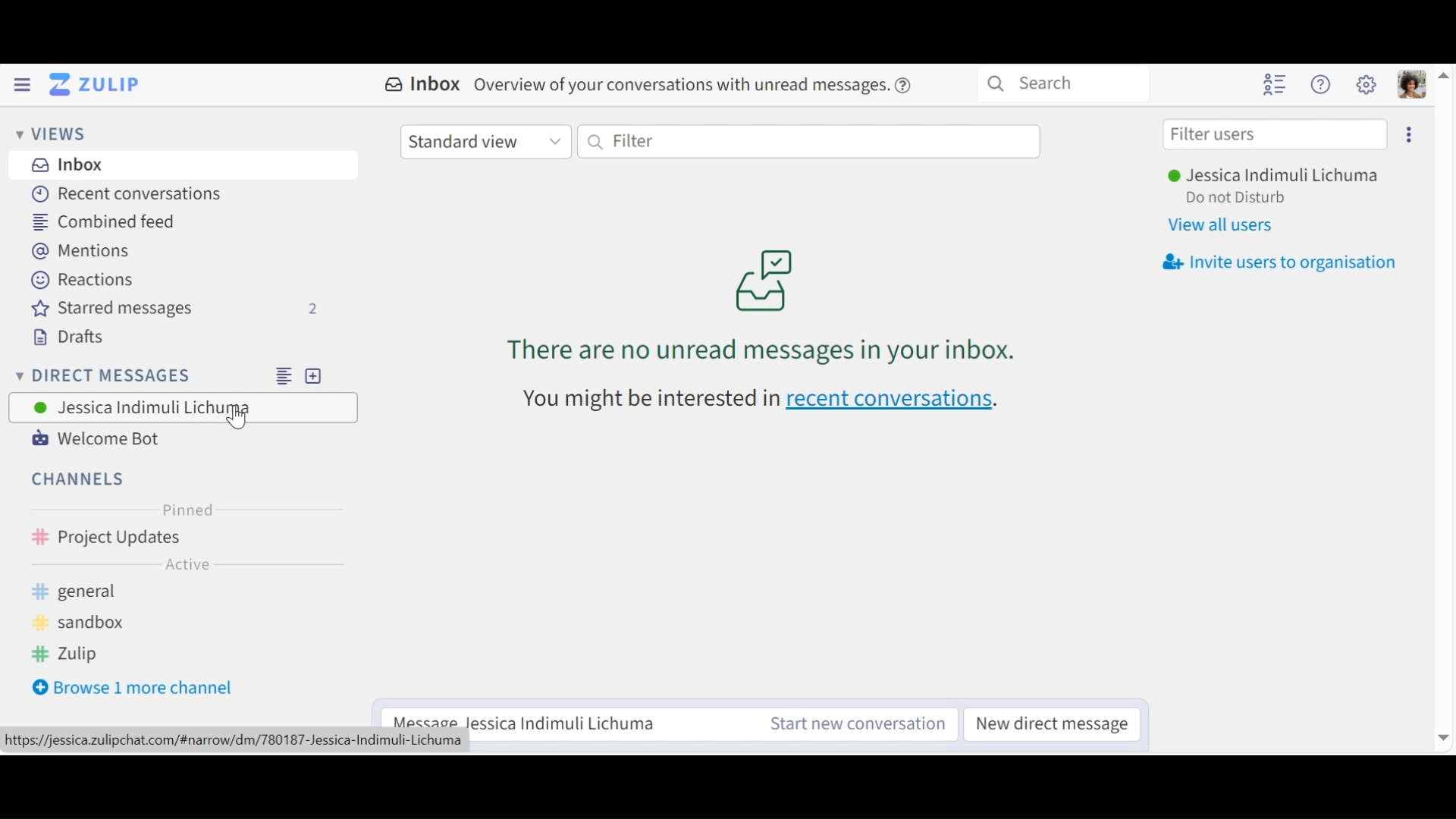 The width and height of the screenshot is (1456, 819). What do you see at coordinates (1276, 133) in the screenshot?
I see `Filter users` at bounding box center [1276, 133].